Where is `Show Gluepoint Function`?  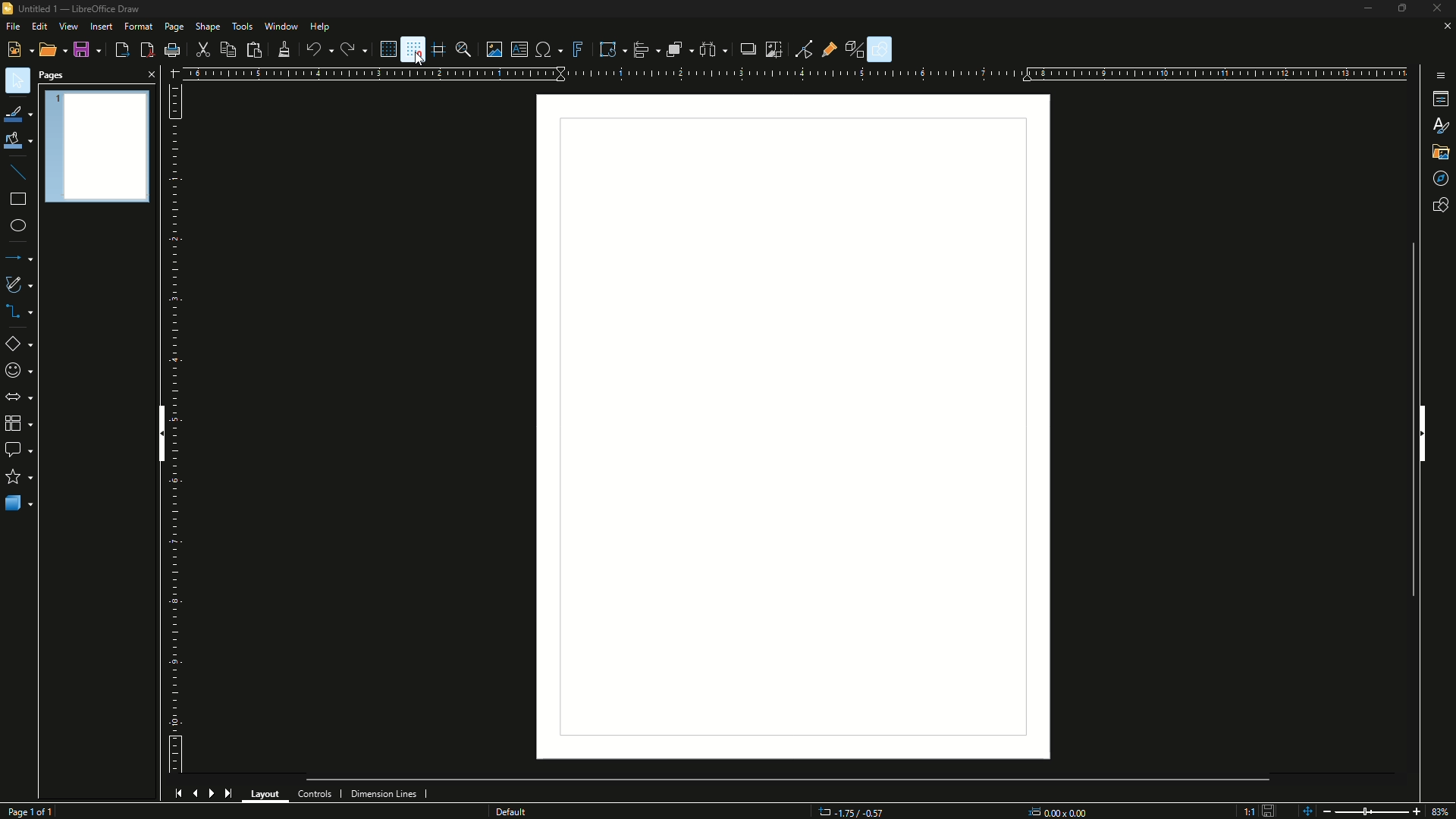 Show Gluepoint Function is located at coordinates (826, 51).